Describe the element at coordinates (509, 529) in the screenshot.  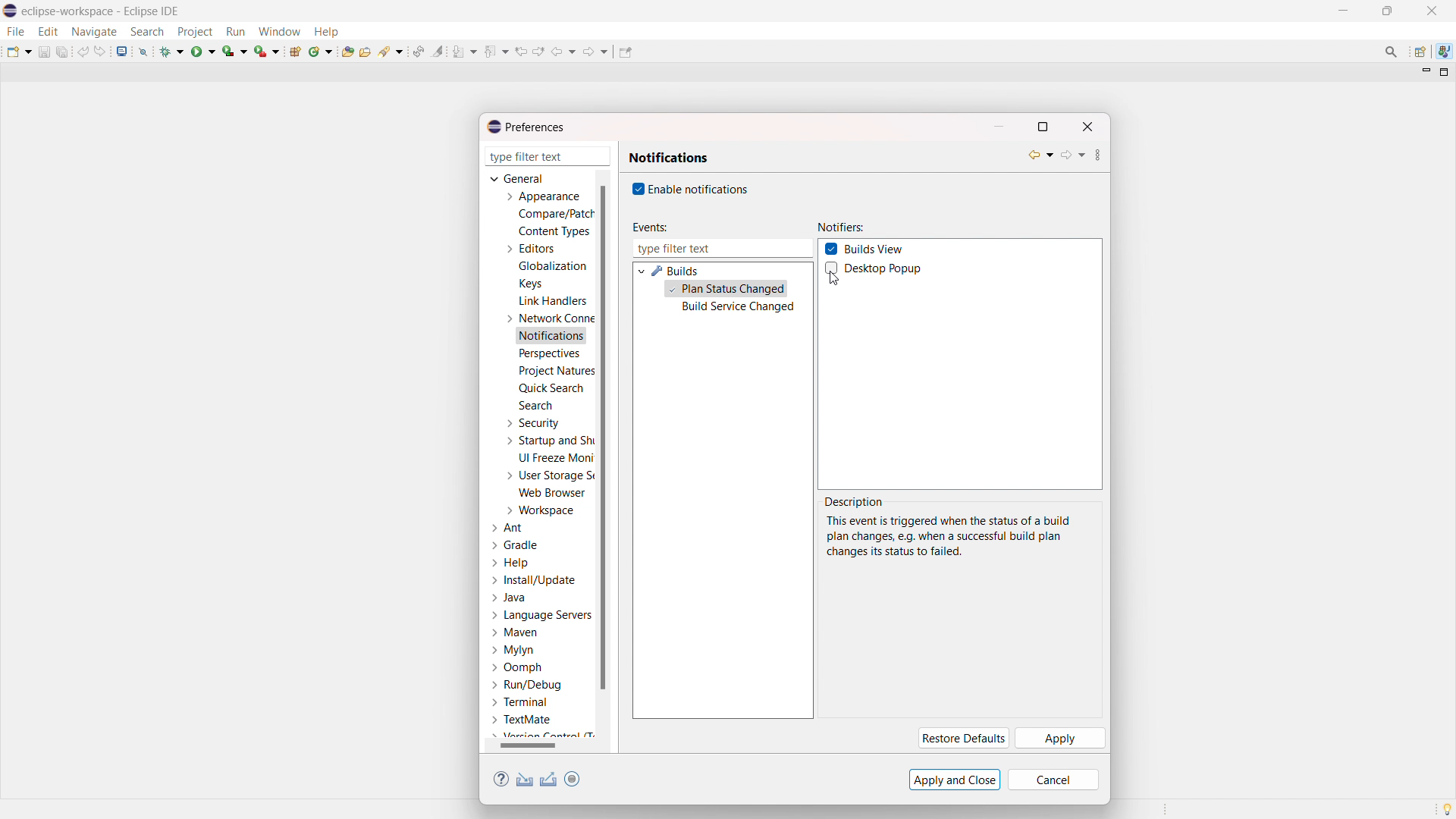
I see `ant` at that location.